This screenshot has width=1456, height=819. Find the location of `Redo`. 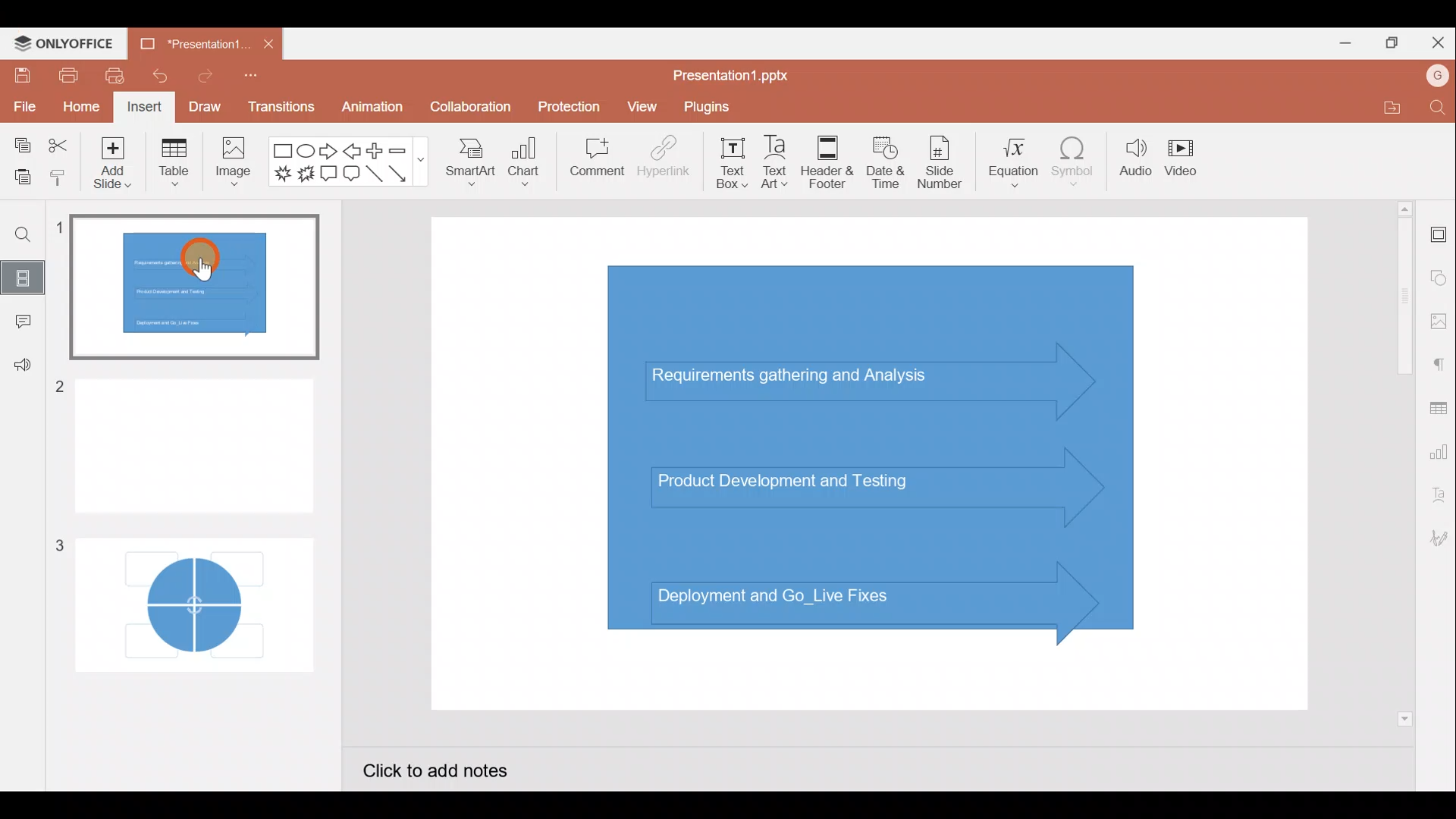

Redo is located at coordinates (201, 80).